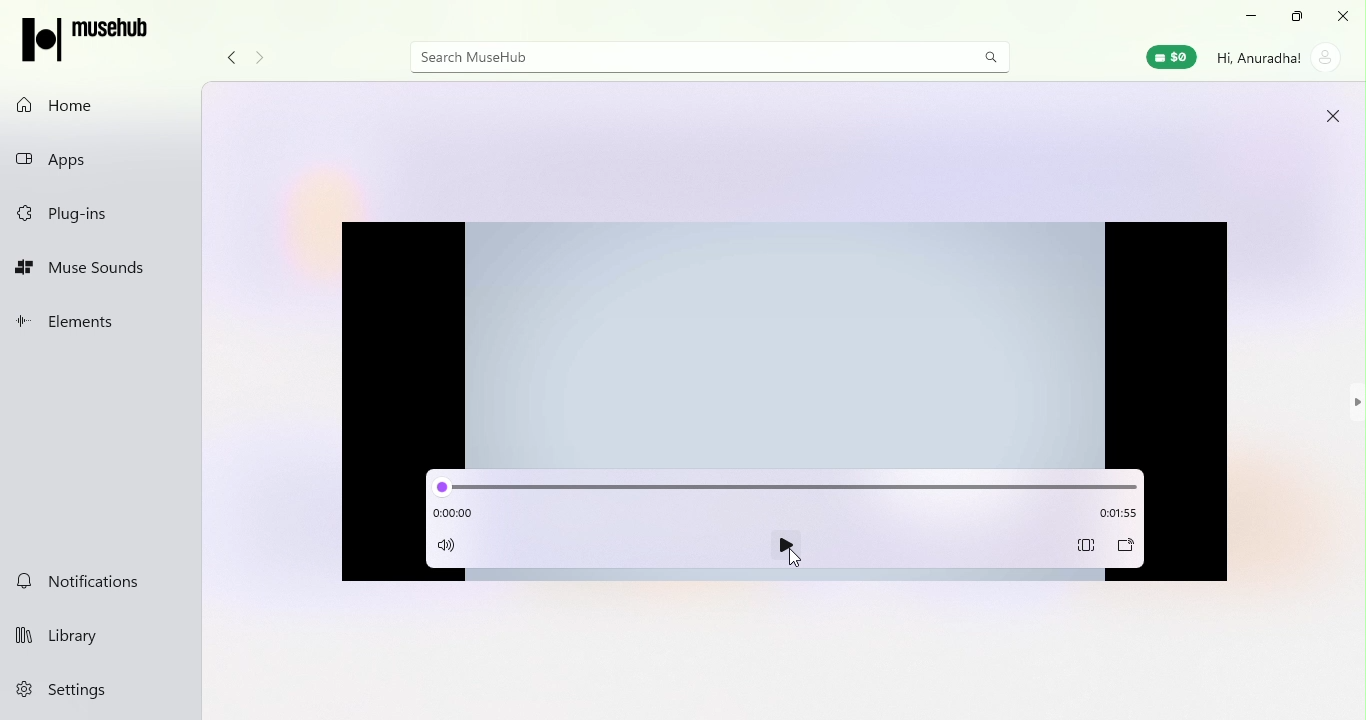 Image resolution: width=1366 pixels, height=720 pixels. What do you see at coordinates (105, 160) in the screenshot?
I see `Apps` at bounding box center [105, 160].